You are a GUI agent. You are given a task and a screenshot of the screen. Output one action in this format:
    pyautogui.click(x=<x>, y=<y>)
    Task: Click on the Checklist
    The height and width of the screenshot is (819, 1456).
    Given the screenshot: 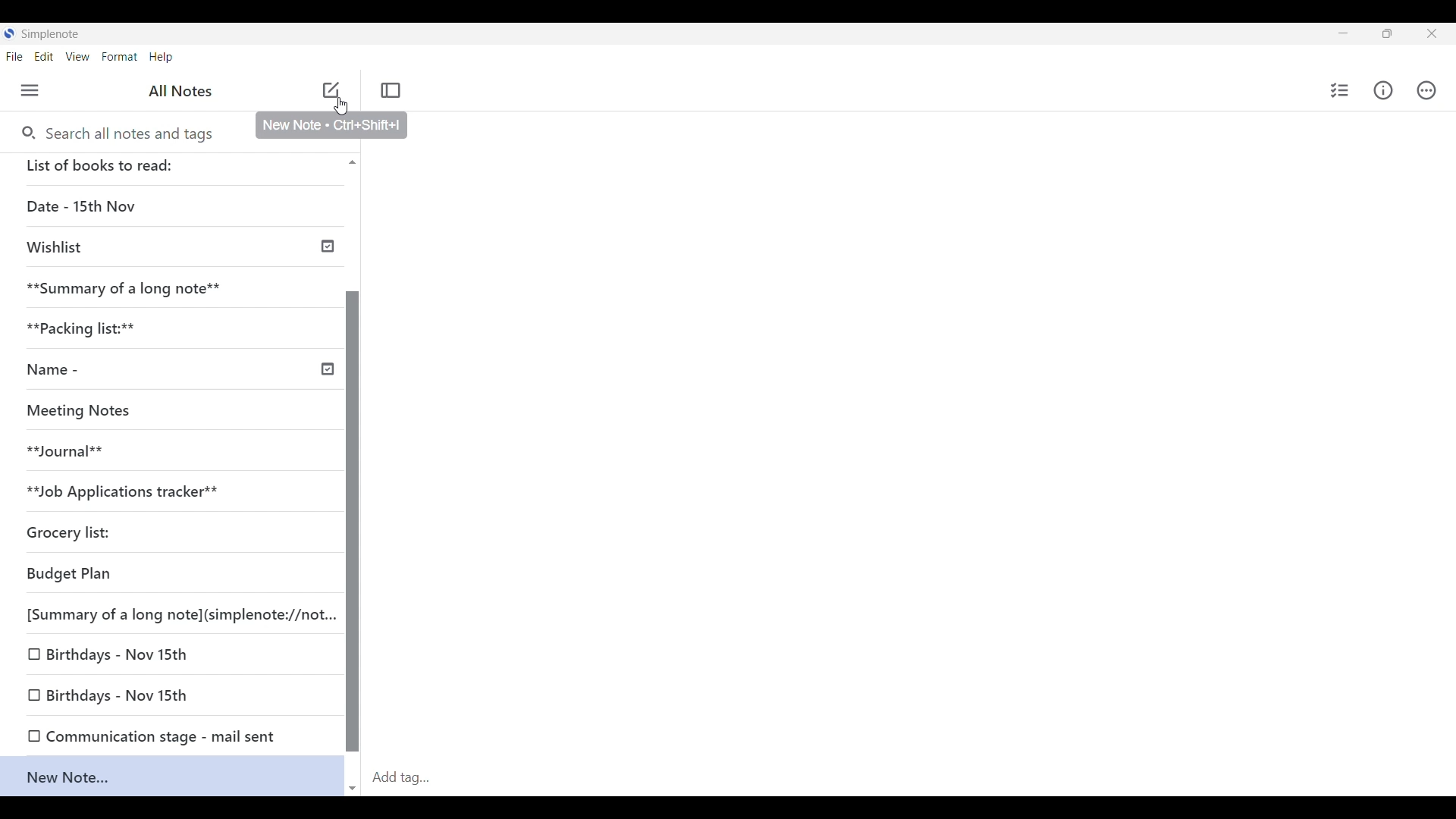 What is the action you would take?
    pyautogui.click(x=1337, y=90)
    